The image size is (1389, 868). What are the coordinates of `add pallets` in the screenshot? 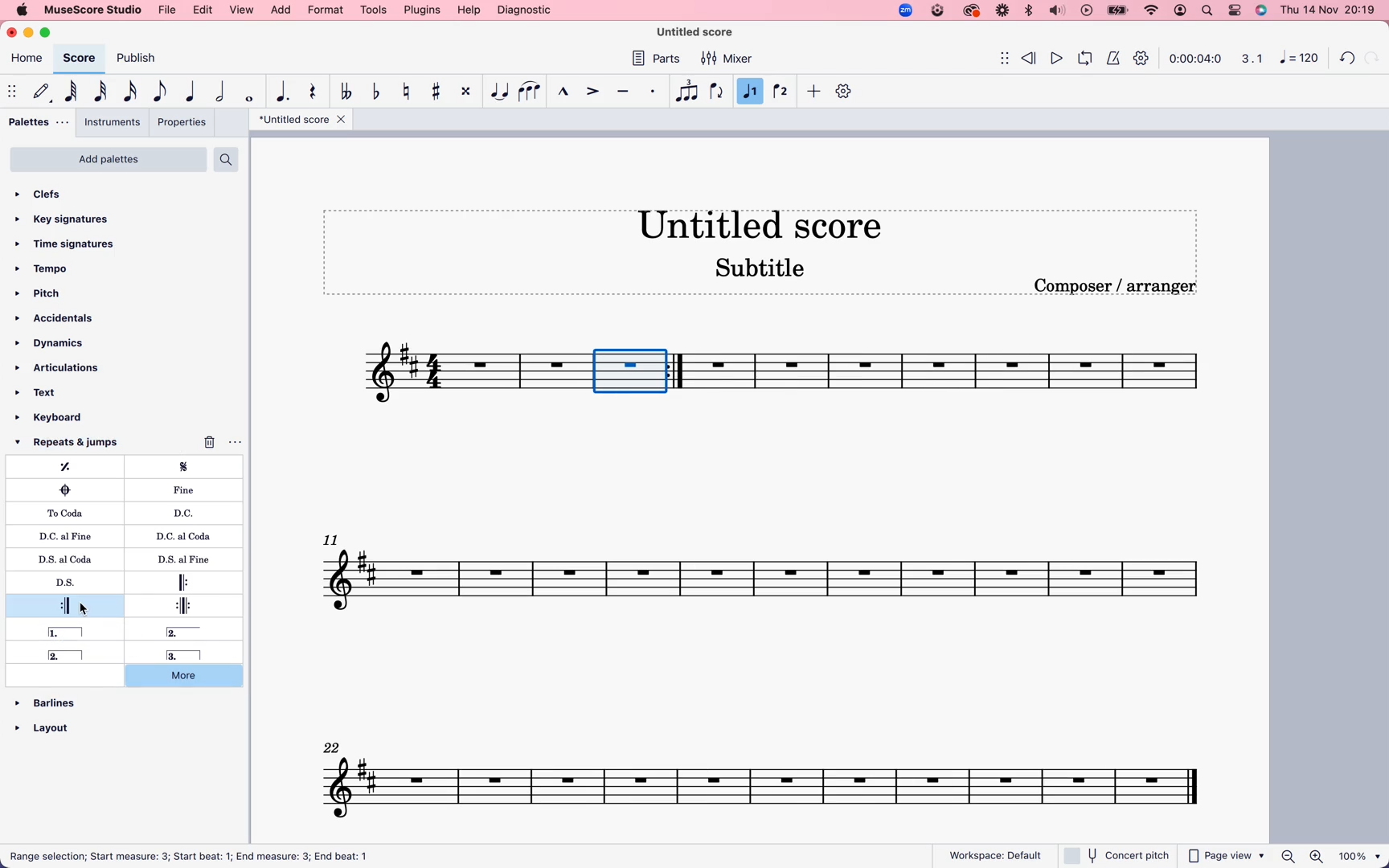 It's located at (109, 159).